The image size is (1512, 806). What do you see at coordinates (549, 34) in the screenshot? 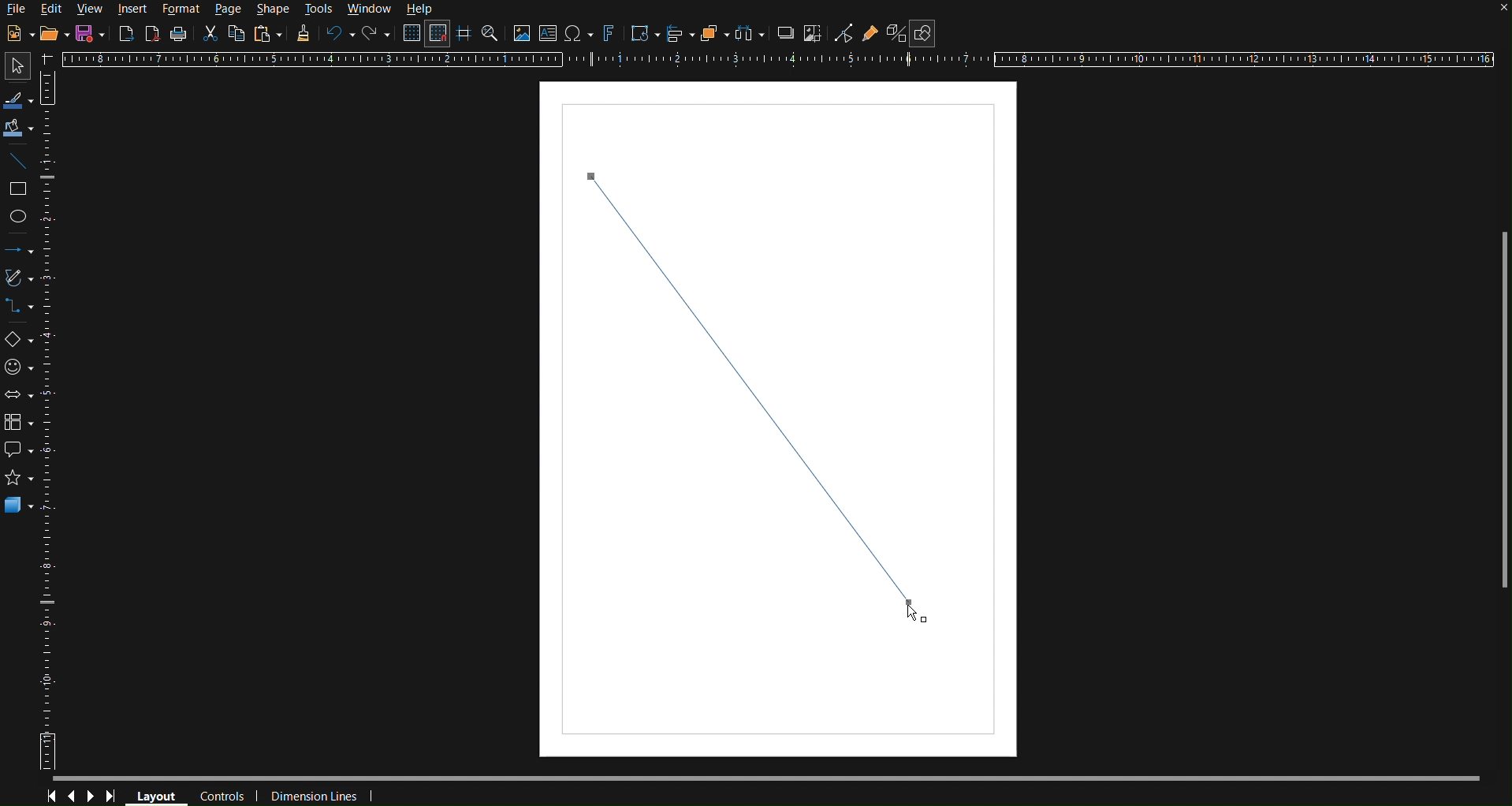
I see `Insert Textbox` at bounding box center [549, 34].